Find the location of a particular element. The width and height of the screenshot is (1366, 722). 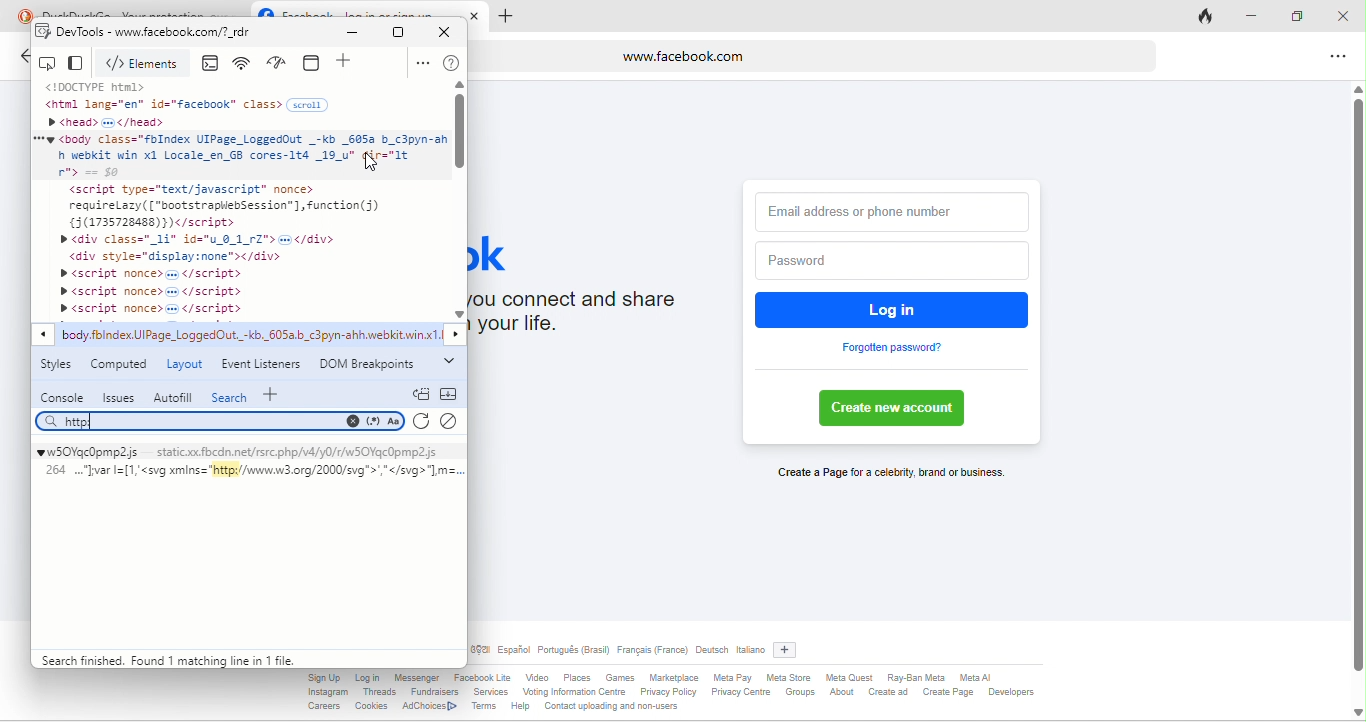

option is located at coordinates (421, 63).